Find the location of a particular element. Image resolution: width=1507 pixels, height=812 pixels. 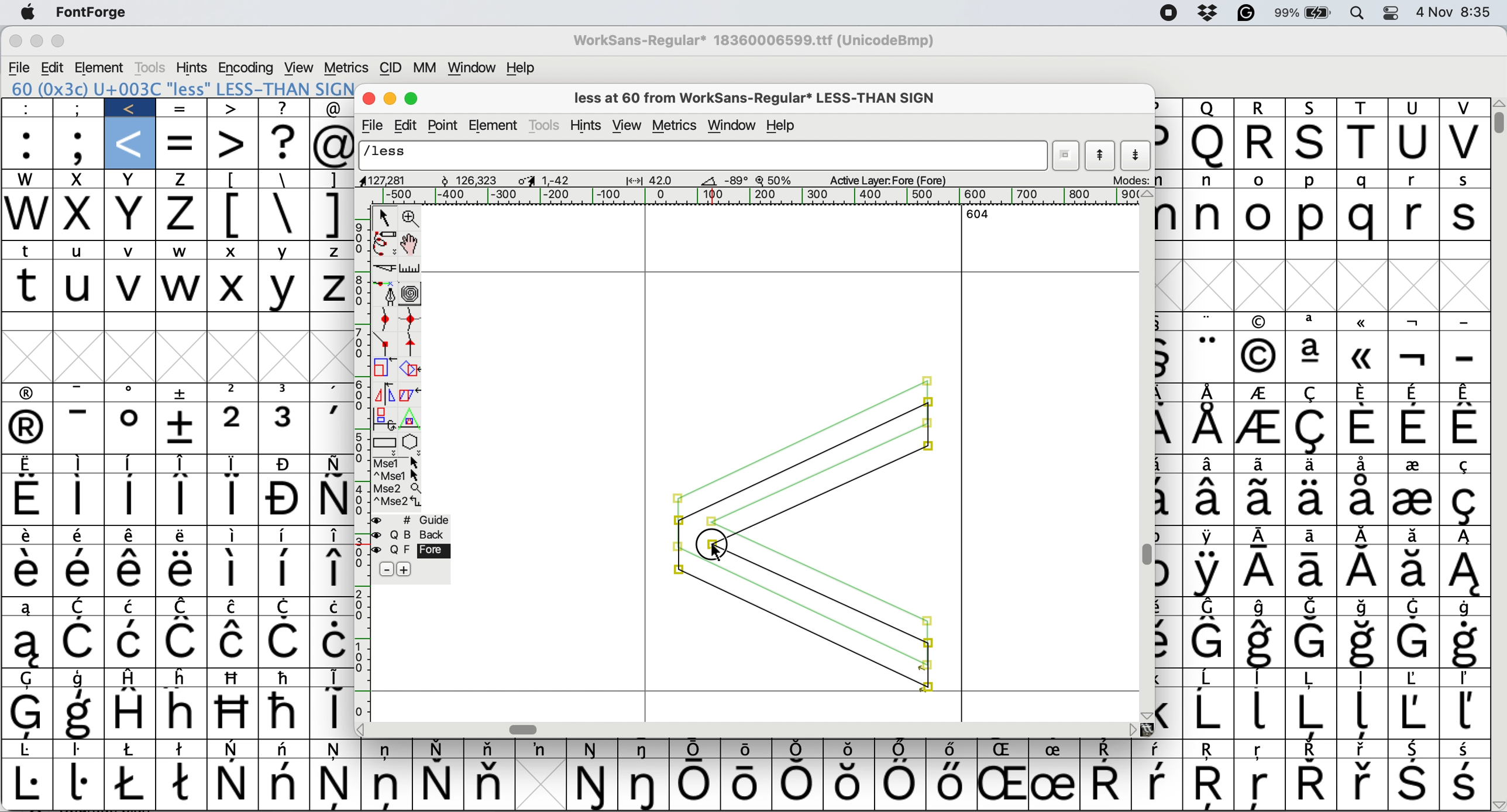

stars and polygons is located at coordinates (412, 442).